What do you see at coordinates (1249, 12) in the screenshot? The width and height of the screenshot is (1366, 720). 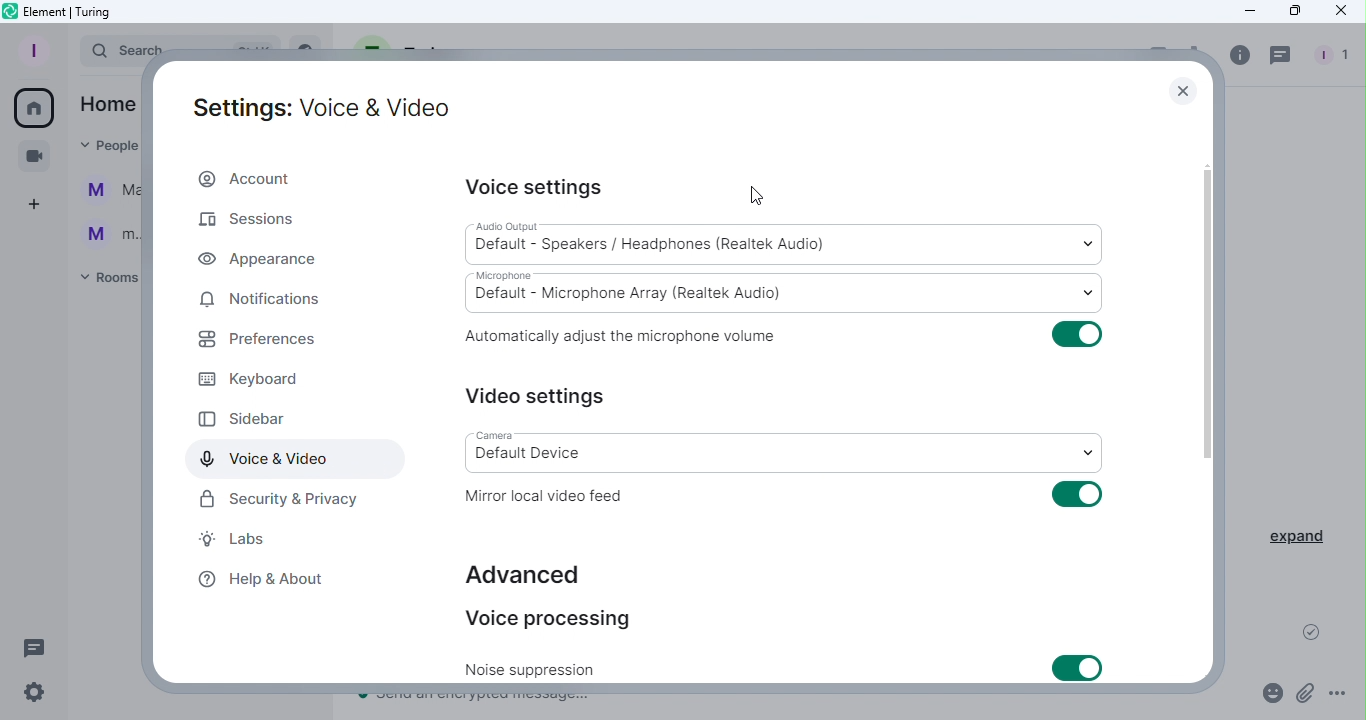 I see `Minimize` at bounding box center [1249, 12].